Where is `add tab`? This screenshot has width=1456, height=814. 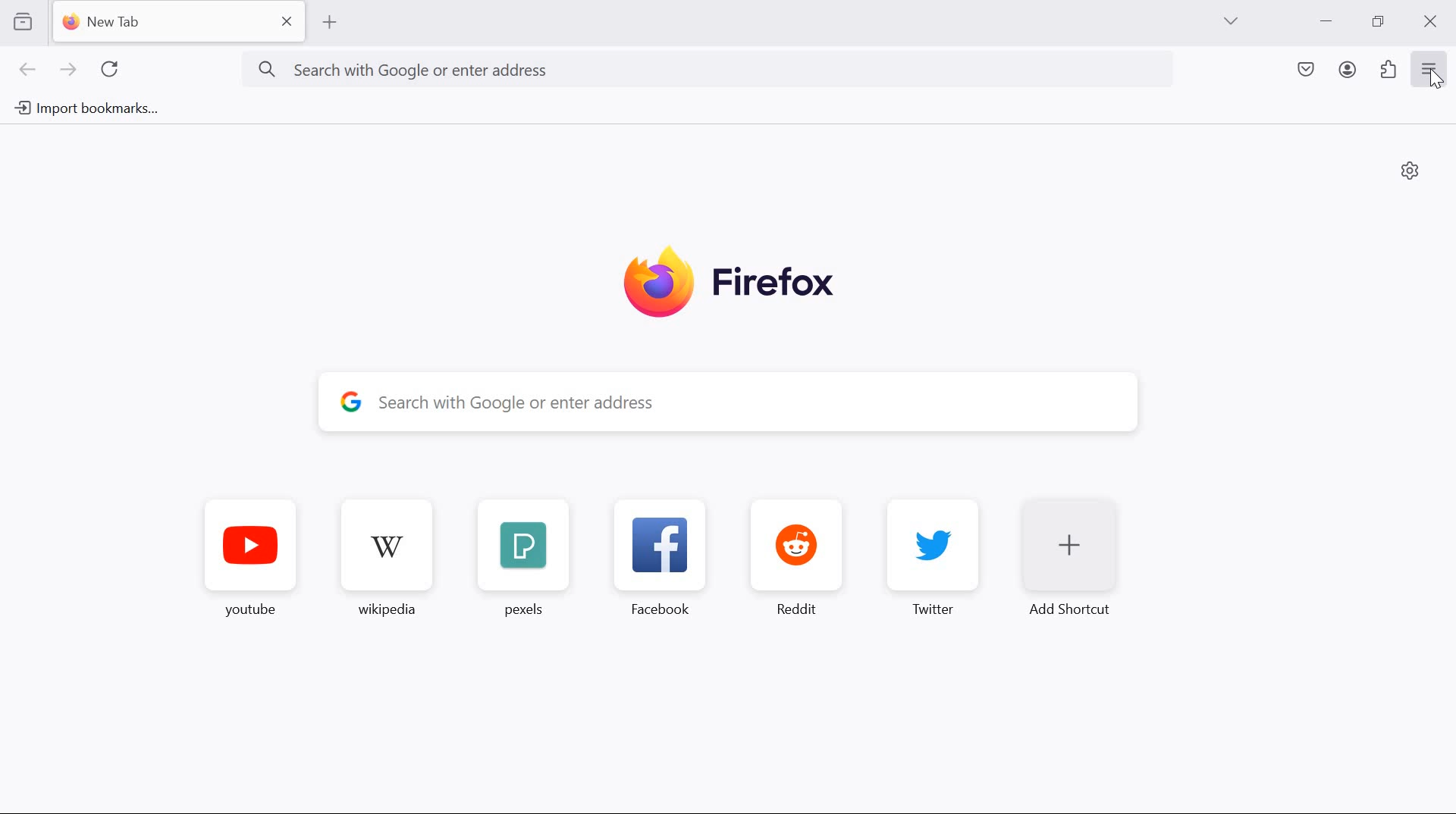 add tab is located at coordinates (329, 23).